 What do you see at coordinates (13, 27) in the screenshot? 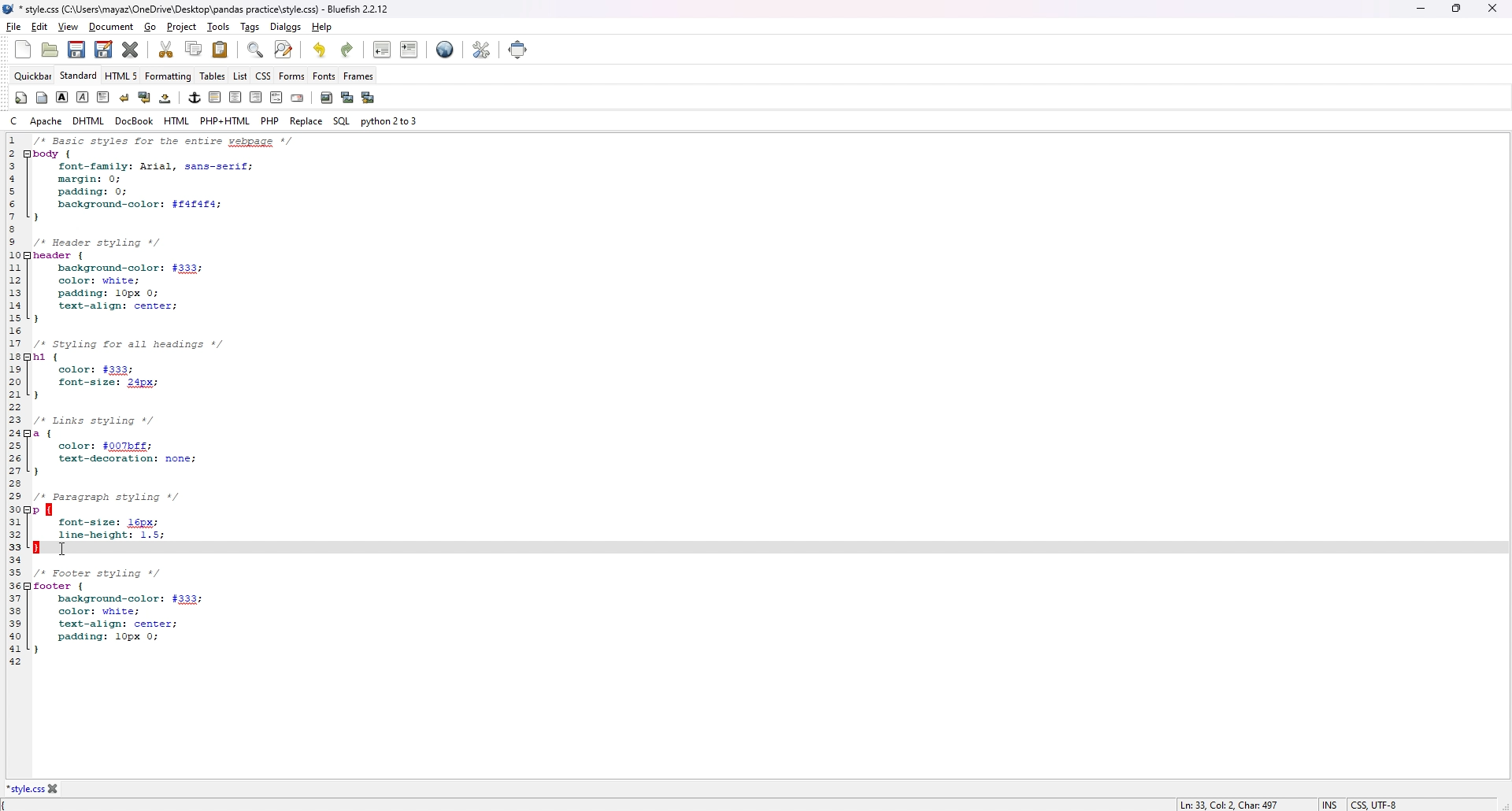
I see `file` at bounding box center [13, 27].